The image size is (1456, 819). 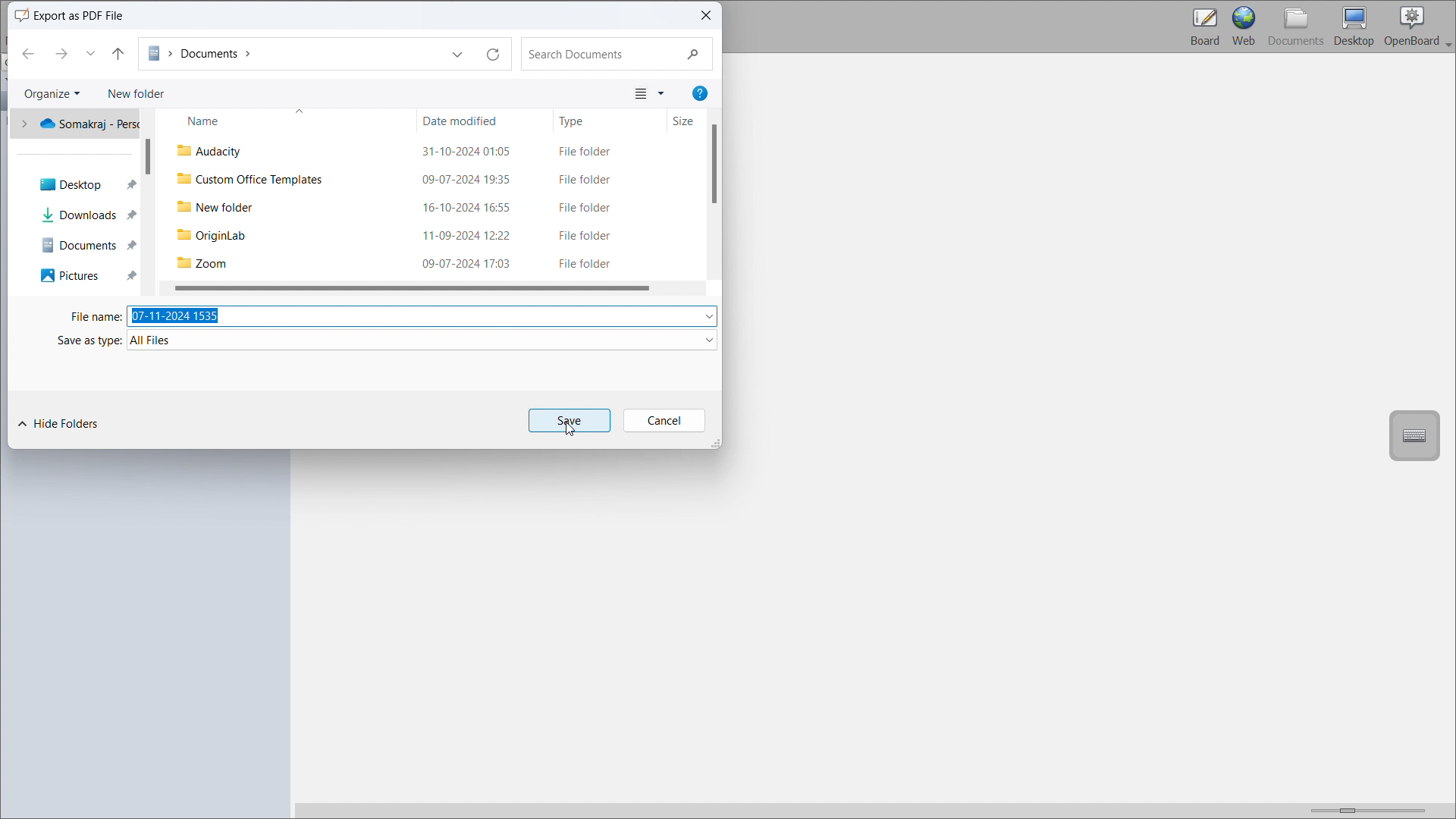 What do you see at coordinates (218, 209) in the screenshot?
I see `New folder` at bounding box center [218, 209].